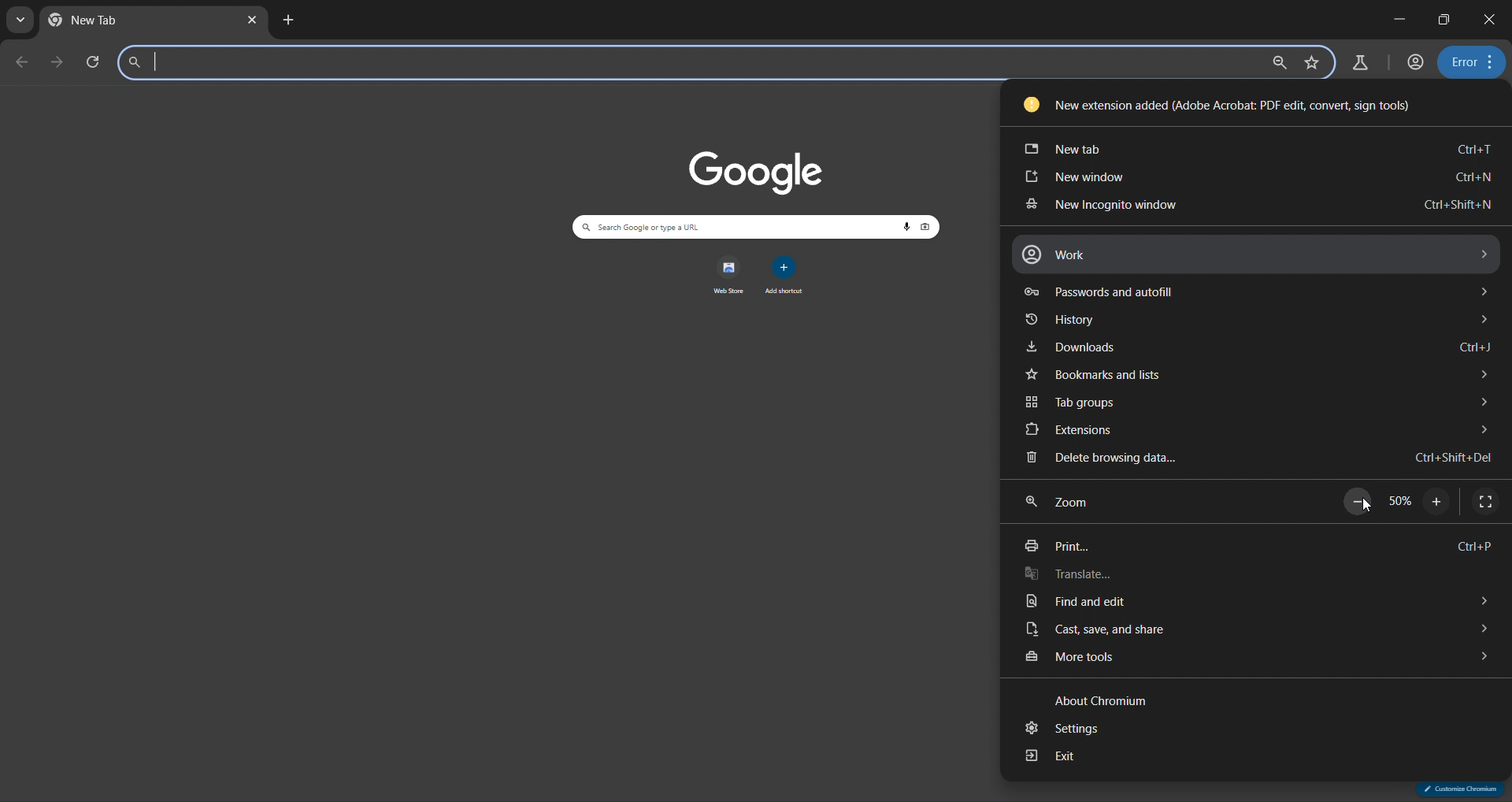 The height and width of the screenshot is (802, 1512). What do you see at coordinates (58, 60) in the screenshot?
I see `go forward one page` at bounding box center [58, 60].